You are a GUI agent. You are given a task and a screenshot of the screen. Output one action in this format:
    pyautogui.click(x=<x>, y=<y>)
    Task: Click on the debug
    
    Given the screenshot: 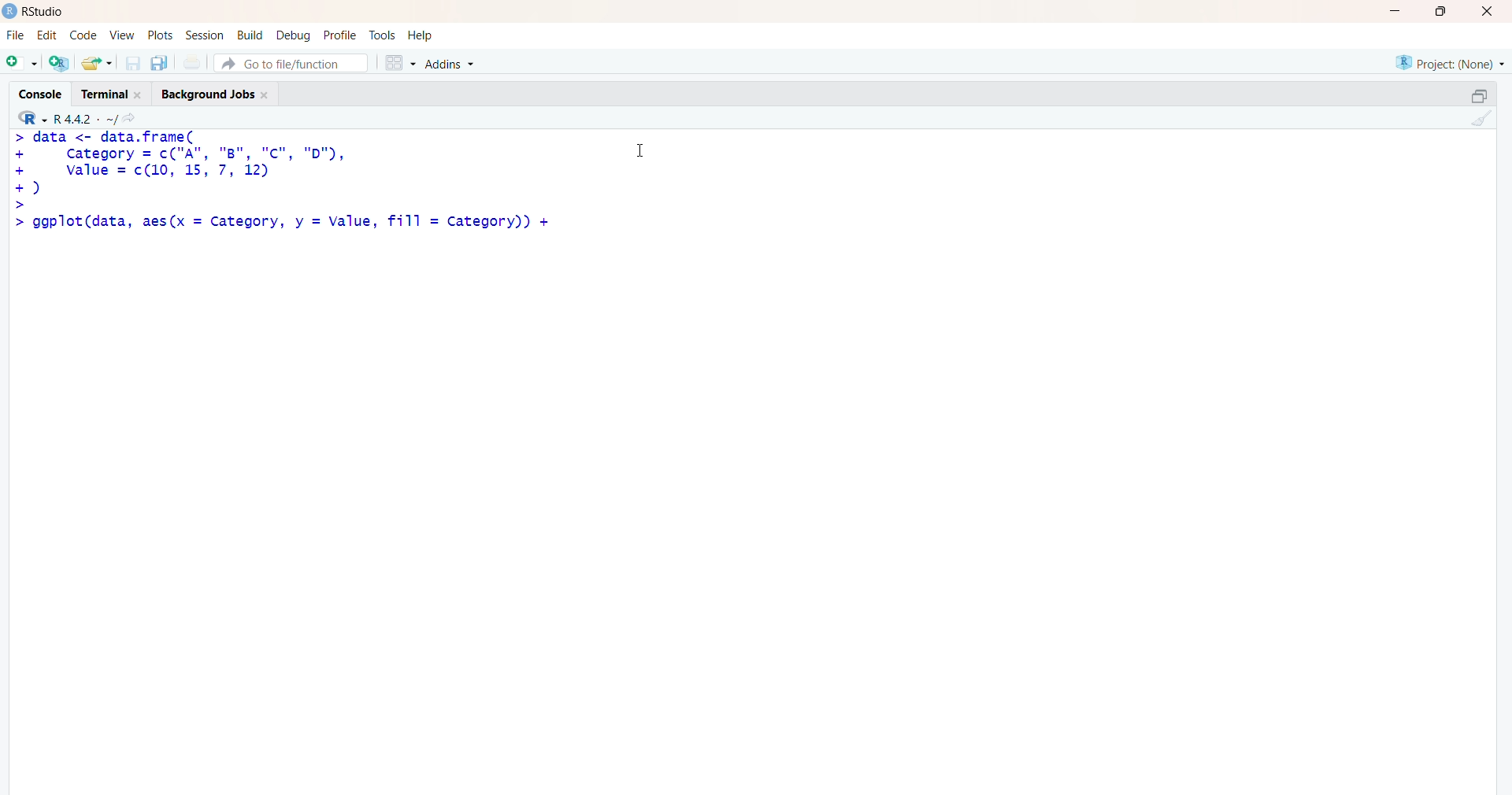 What is the action you would take?
    pyautogui.click(x=294, y=35)
    